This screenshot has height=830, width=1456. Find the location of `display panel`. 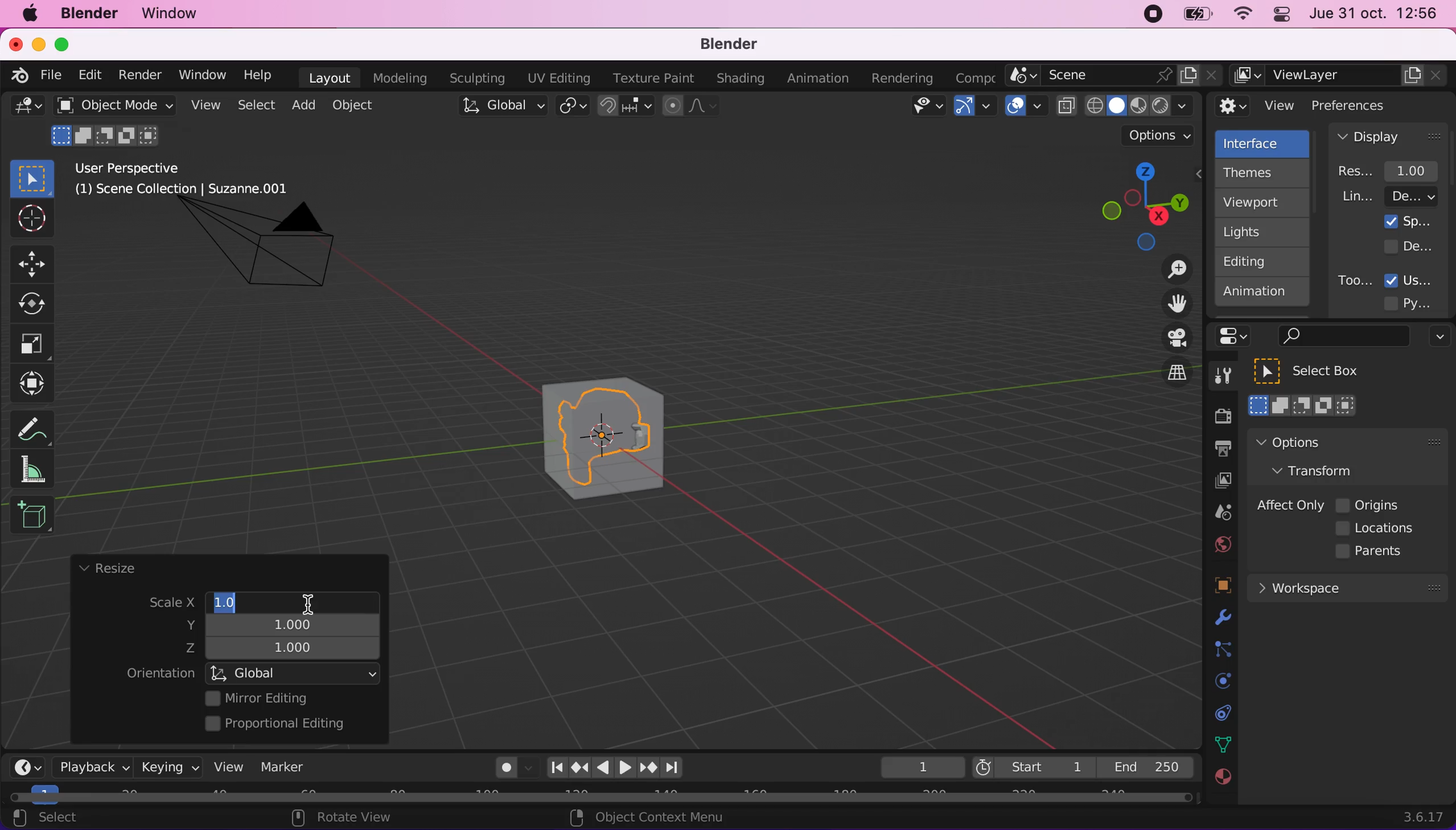

display panel is located at coordinates (1389, 136).